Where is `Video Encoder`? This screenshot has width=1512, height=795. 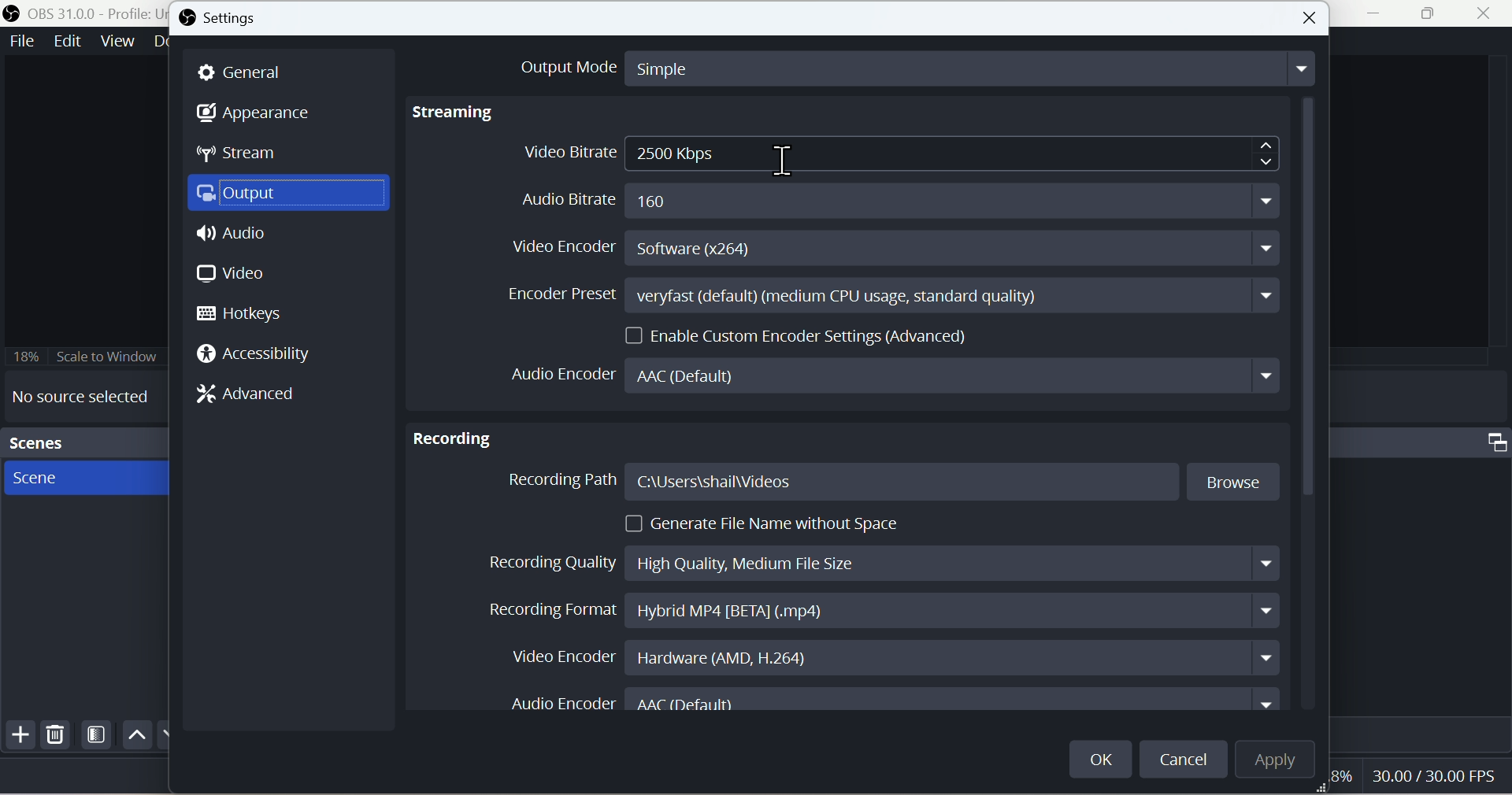 Video Encoder is located at coordinates (897, 250).